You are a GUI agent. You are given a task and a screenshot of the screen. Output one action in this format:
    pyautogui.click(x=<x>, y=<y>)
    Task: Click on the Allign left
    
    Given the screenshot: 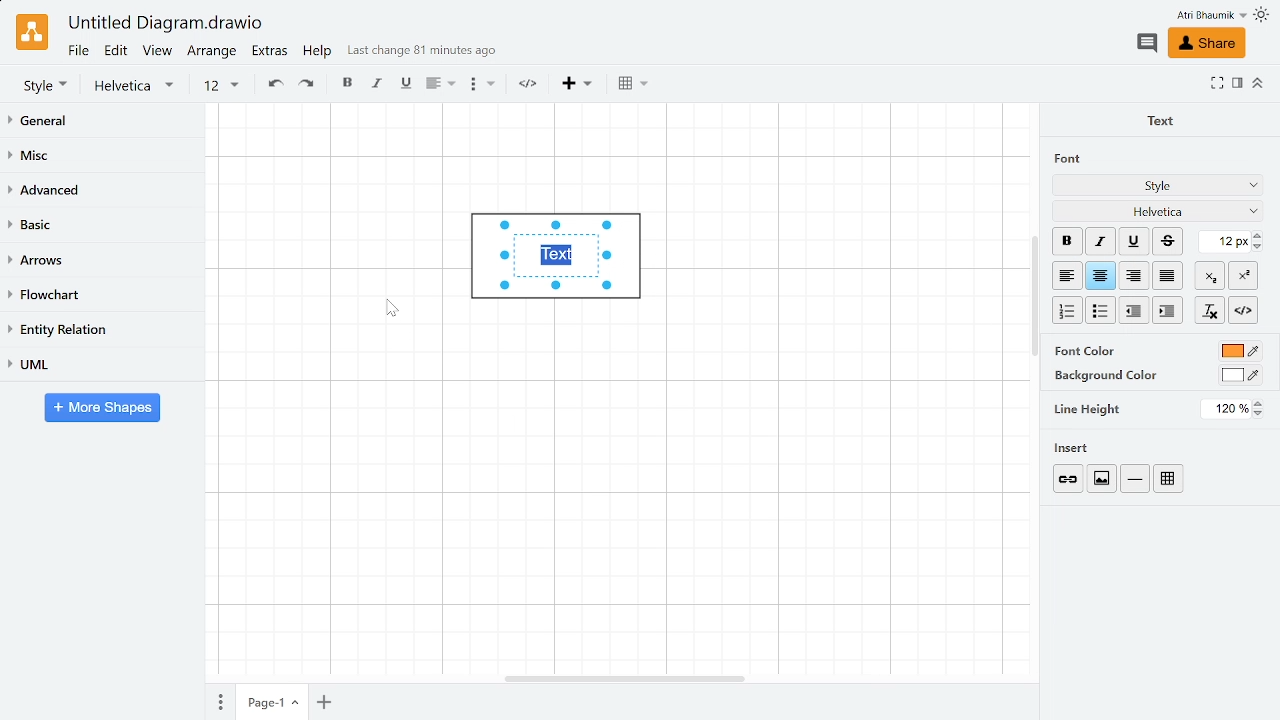 What is the action you would take?
    pyautogui.click(x=1066, y=275)
    